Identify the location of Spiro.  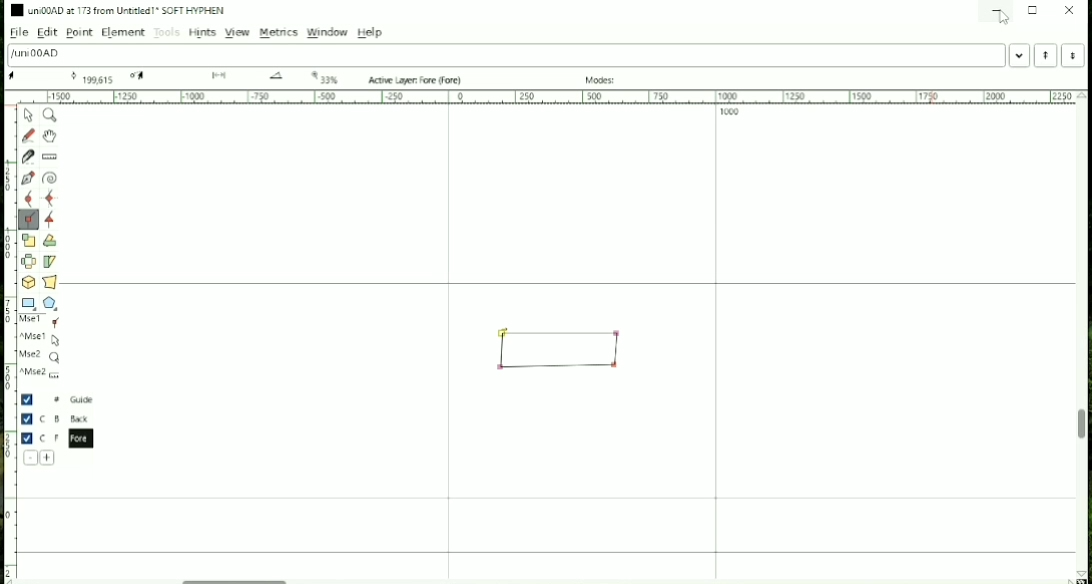
(51, 178).